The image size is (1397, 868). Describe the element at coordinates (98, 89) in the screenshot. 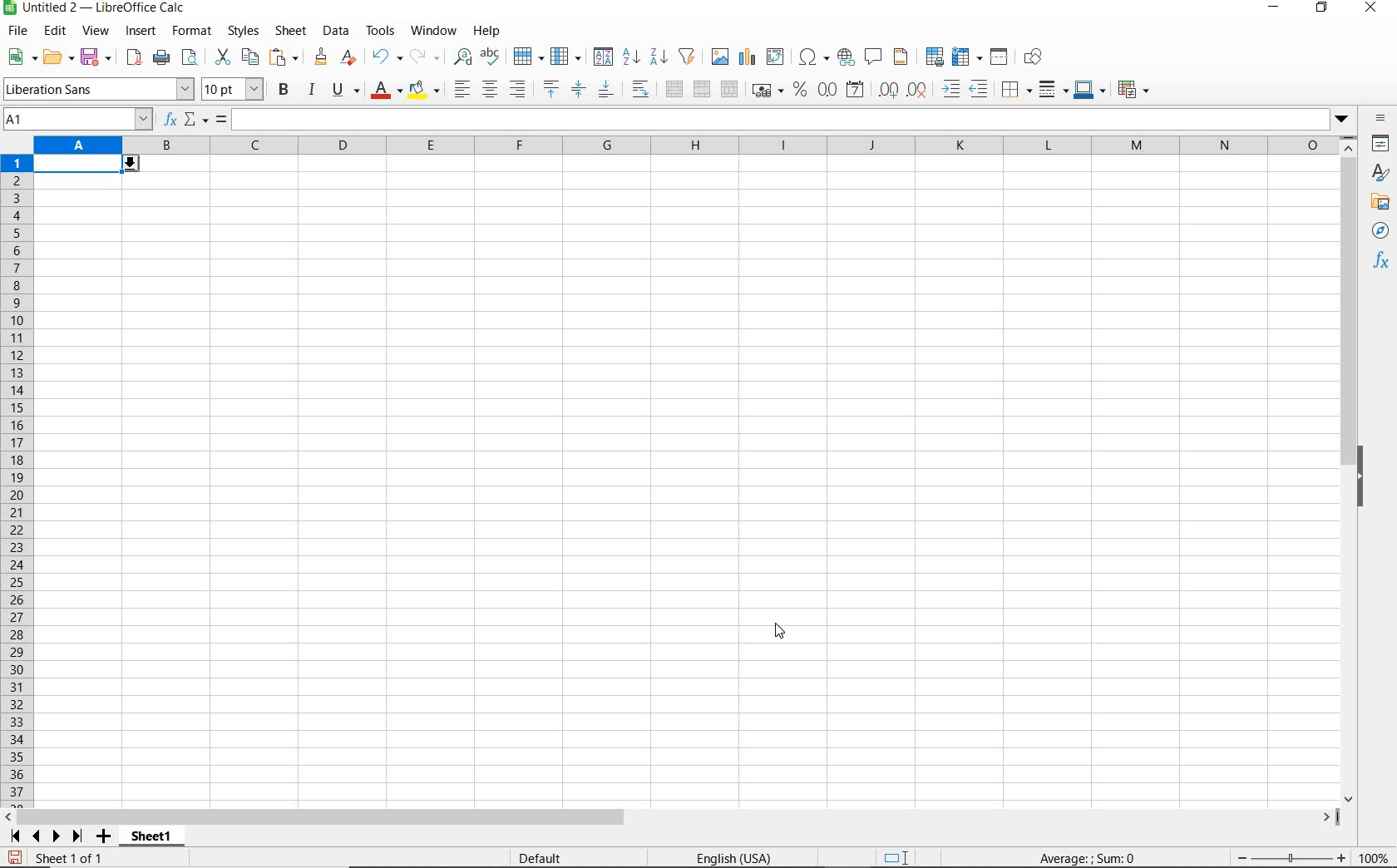

I see `font name` at that location.